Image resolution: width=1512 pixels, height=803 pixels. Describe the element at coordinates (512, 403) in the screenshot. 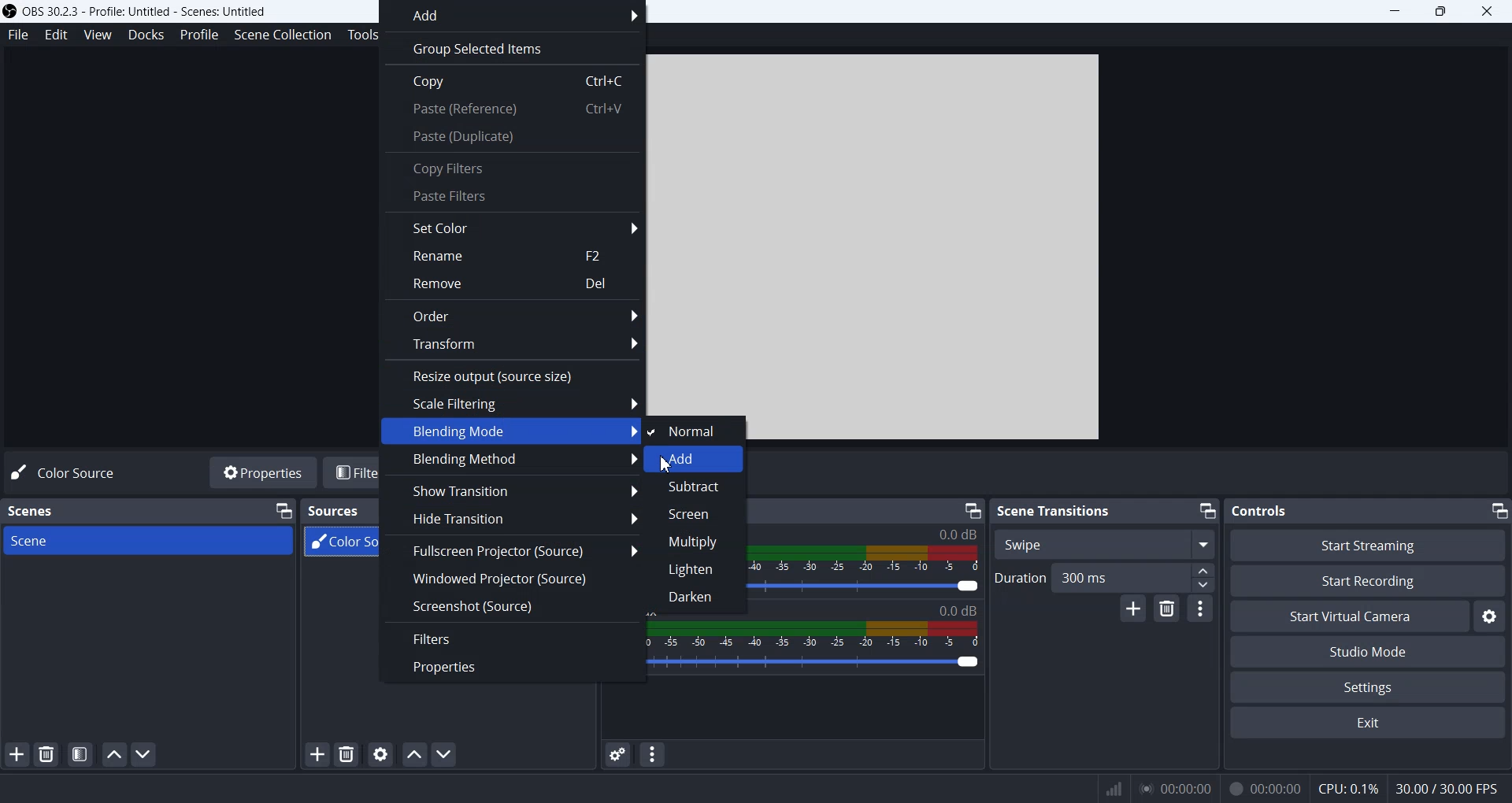

I see `Scale Filtering` at that location.